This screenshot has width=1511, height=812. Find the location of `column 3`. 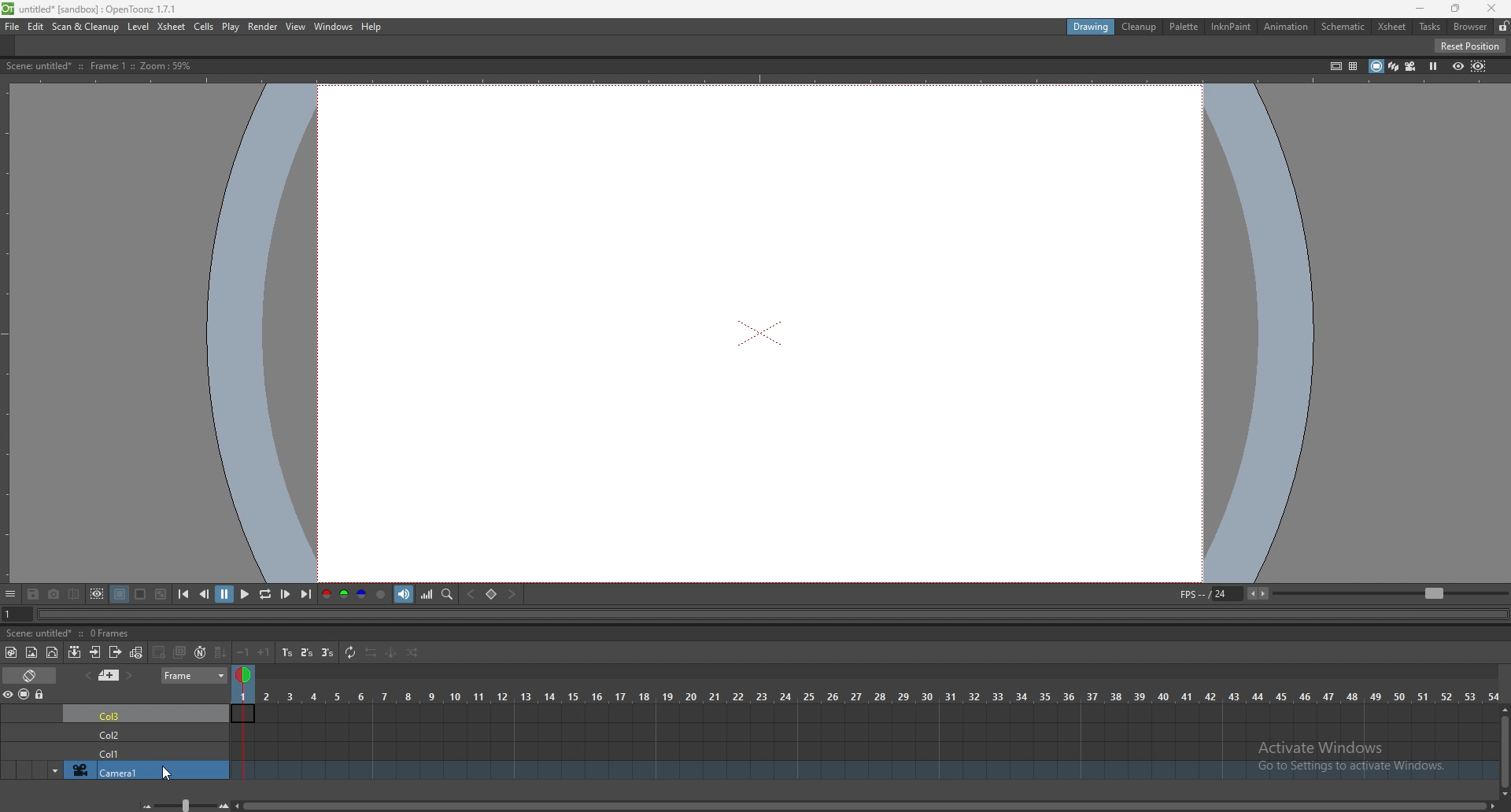

column 3 is located at coordinates (146, 713).